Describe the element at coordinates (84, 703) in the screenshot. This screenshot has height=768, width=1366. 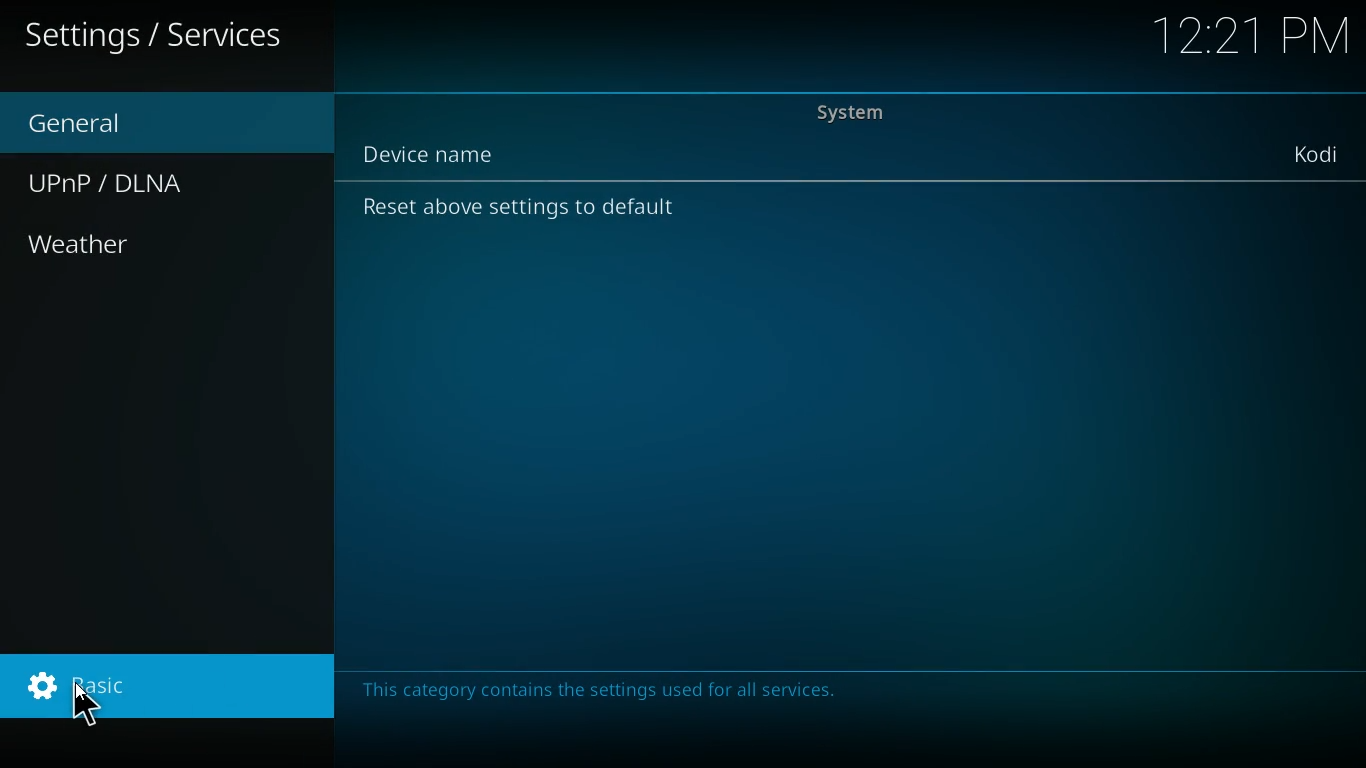
I see `cursor` at that location.